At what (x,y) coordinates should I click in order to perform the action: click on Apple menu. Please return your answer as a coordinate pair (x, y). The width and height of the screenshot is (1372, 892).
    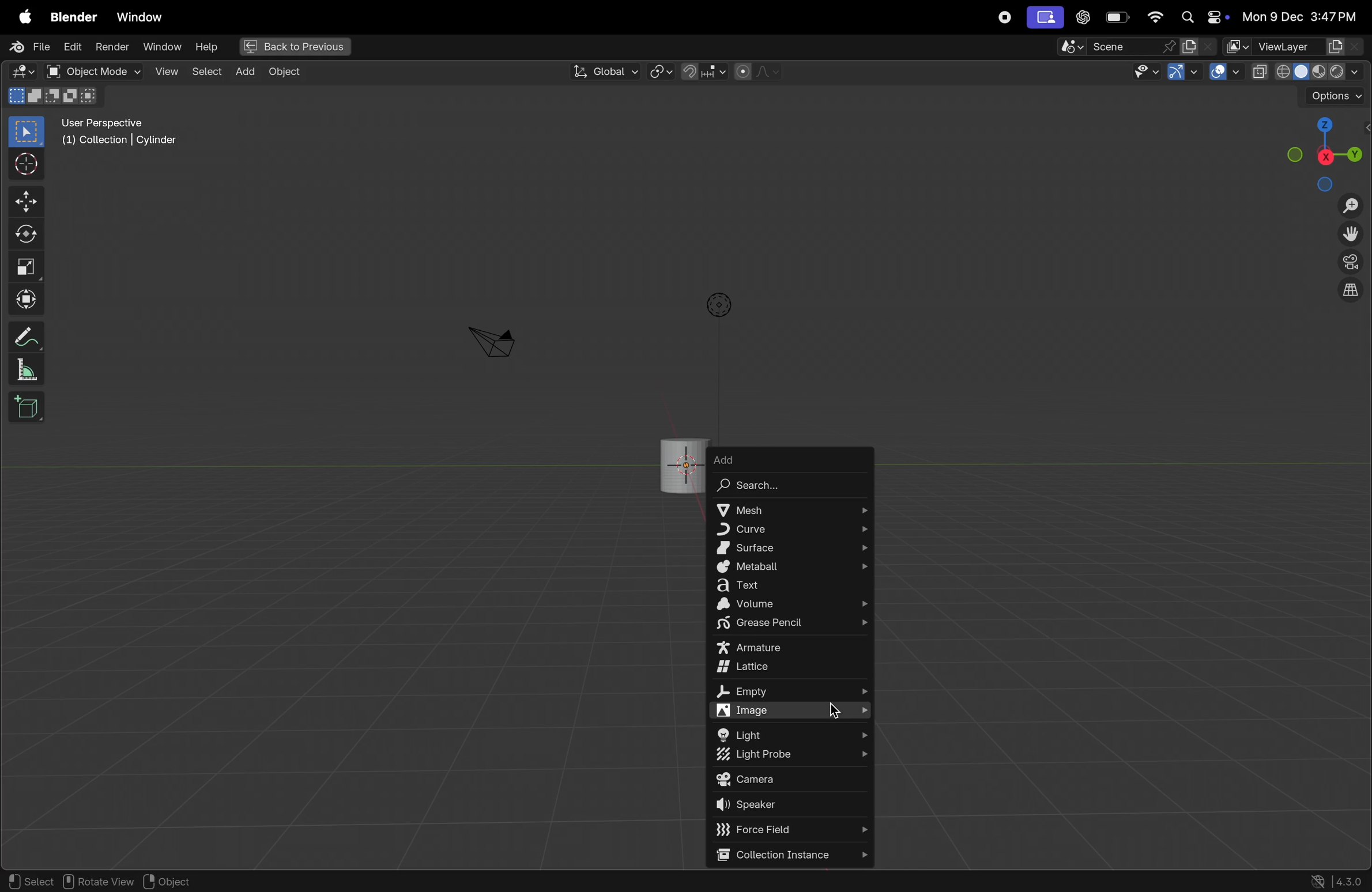
    Looking at the image, I should click on (21, 14).